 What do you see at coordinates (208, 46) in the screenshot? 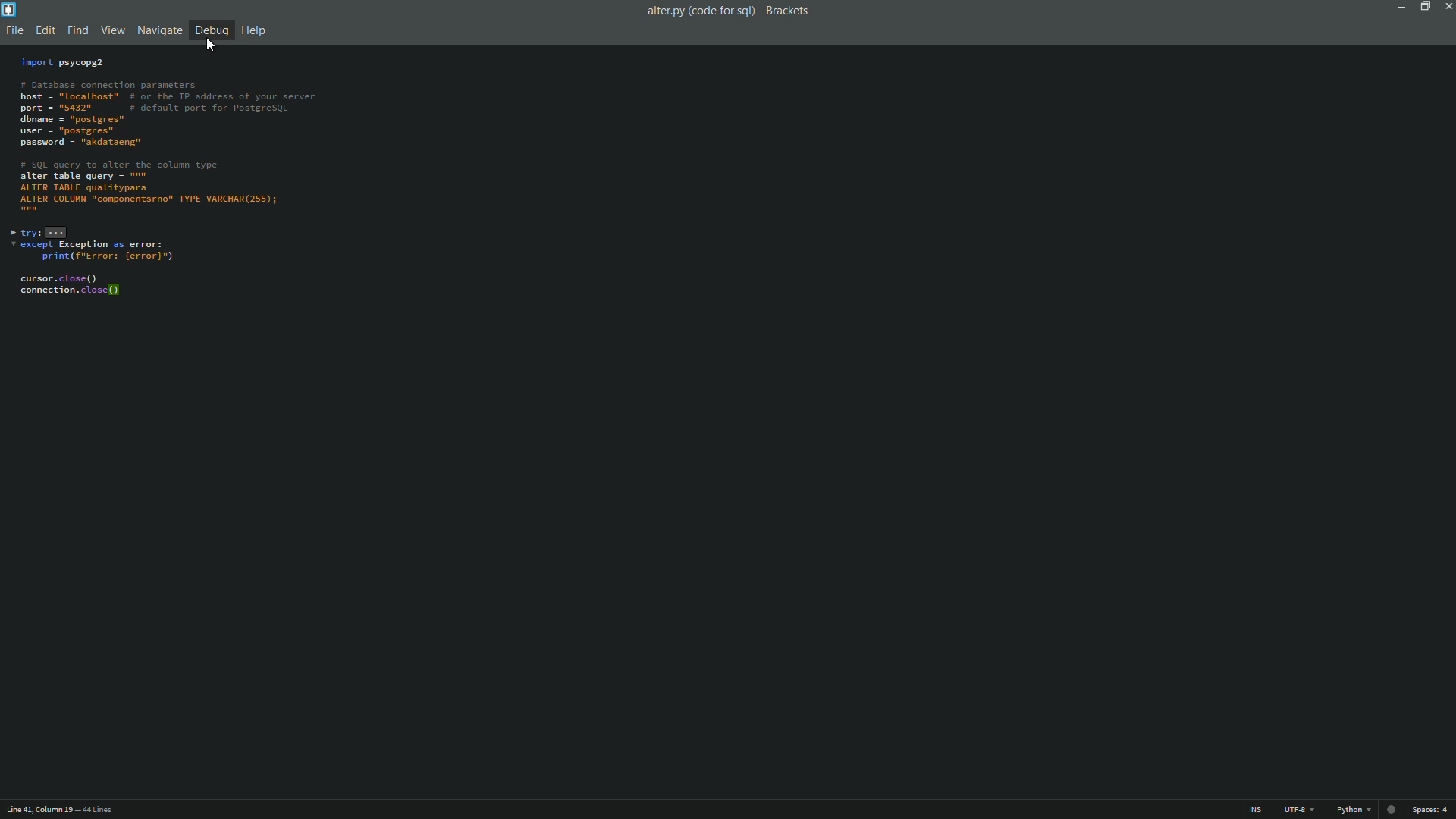
I see `Cursor` at bounding box center [208, 46].